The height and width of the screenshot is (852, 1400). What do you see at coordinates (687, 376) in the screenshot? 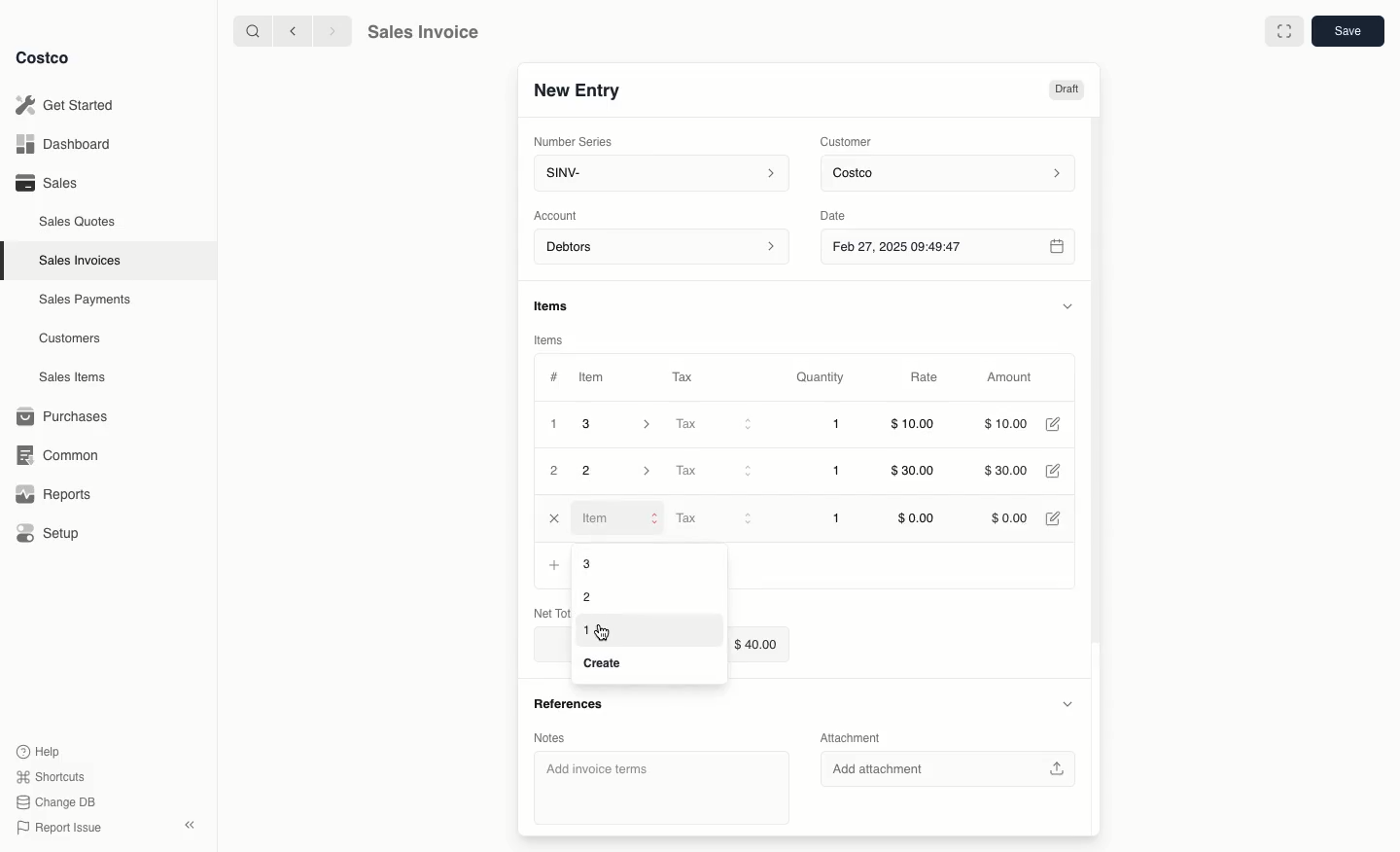
I see `Tax` at bounding box center [687, 376].